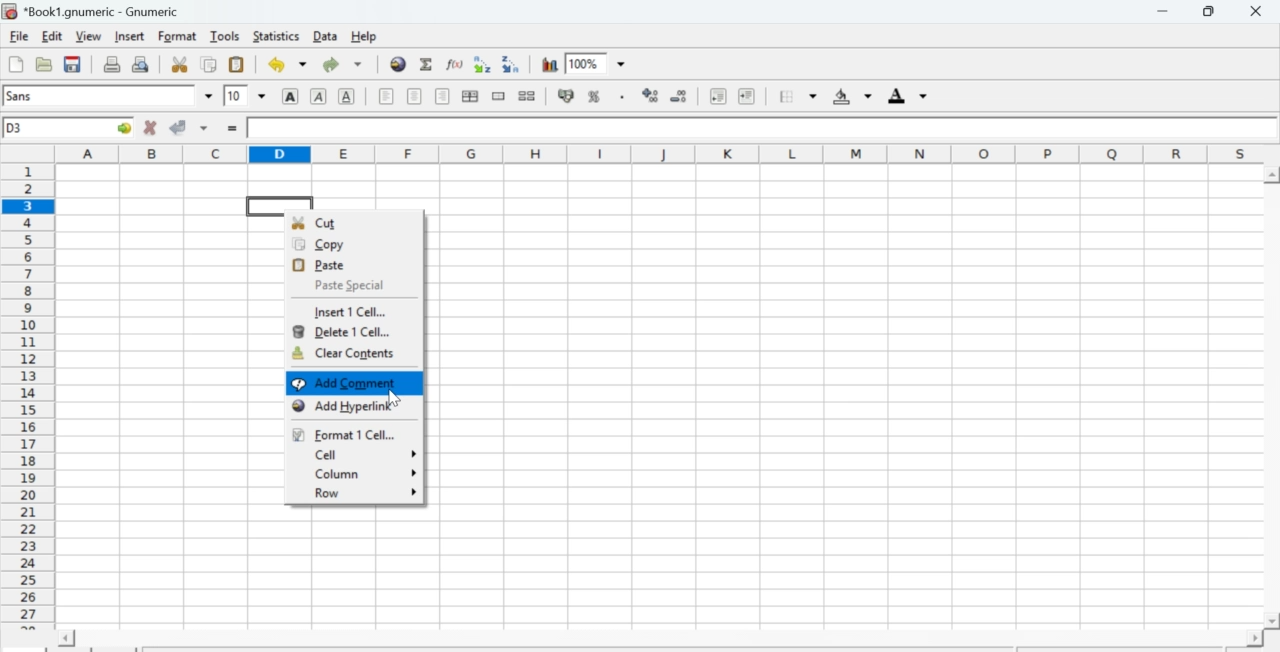 This screenshot has height=652, width=1280. I want to click on Italics, so click(318, 96).